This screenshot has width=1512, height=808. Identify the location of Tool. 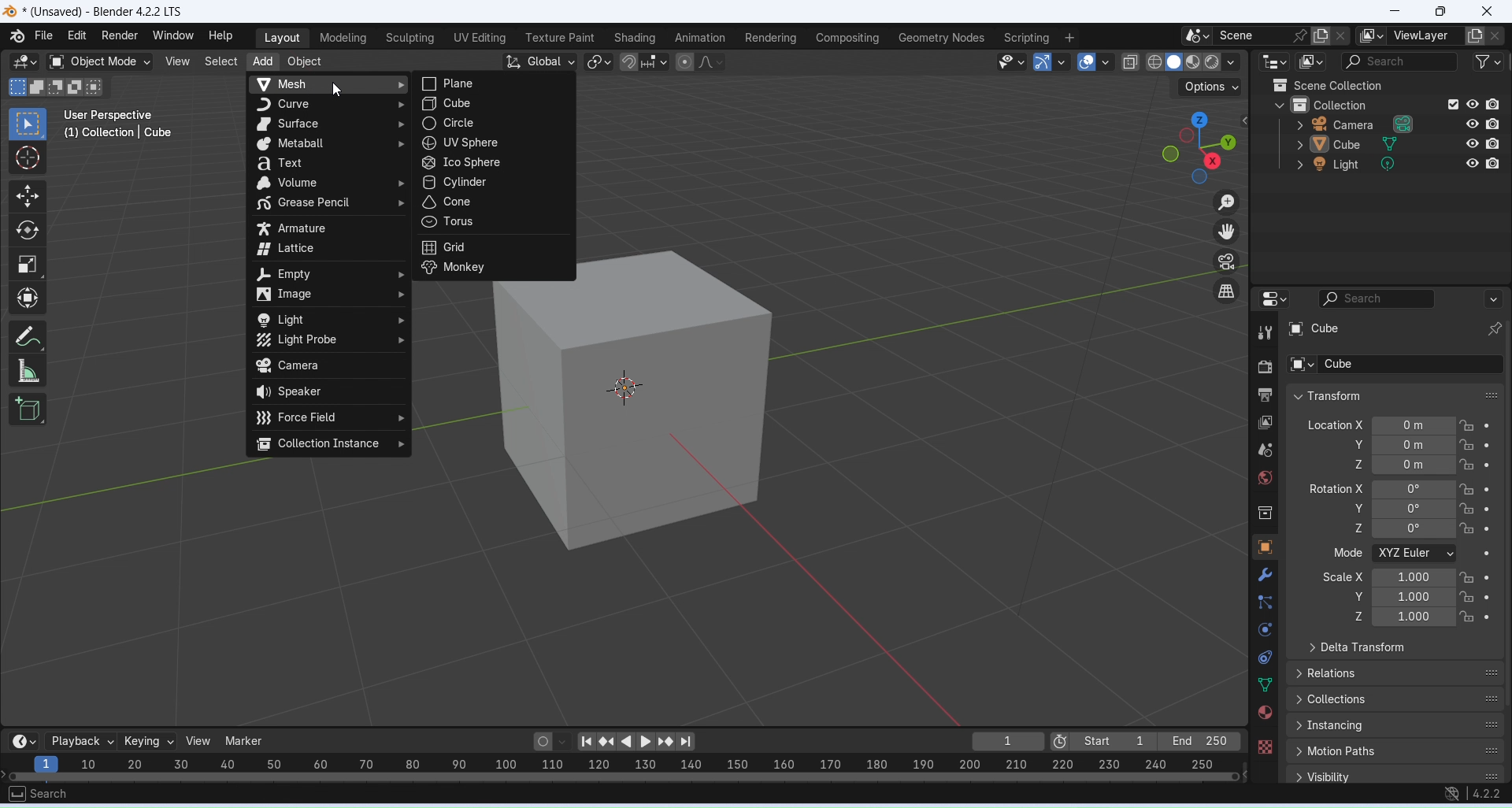
(1264, 332).